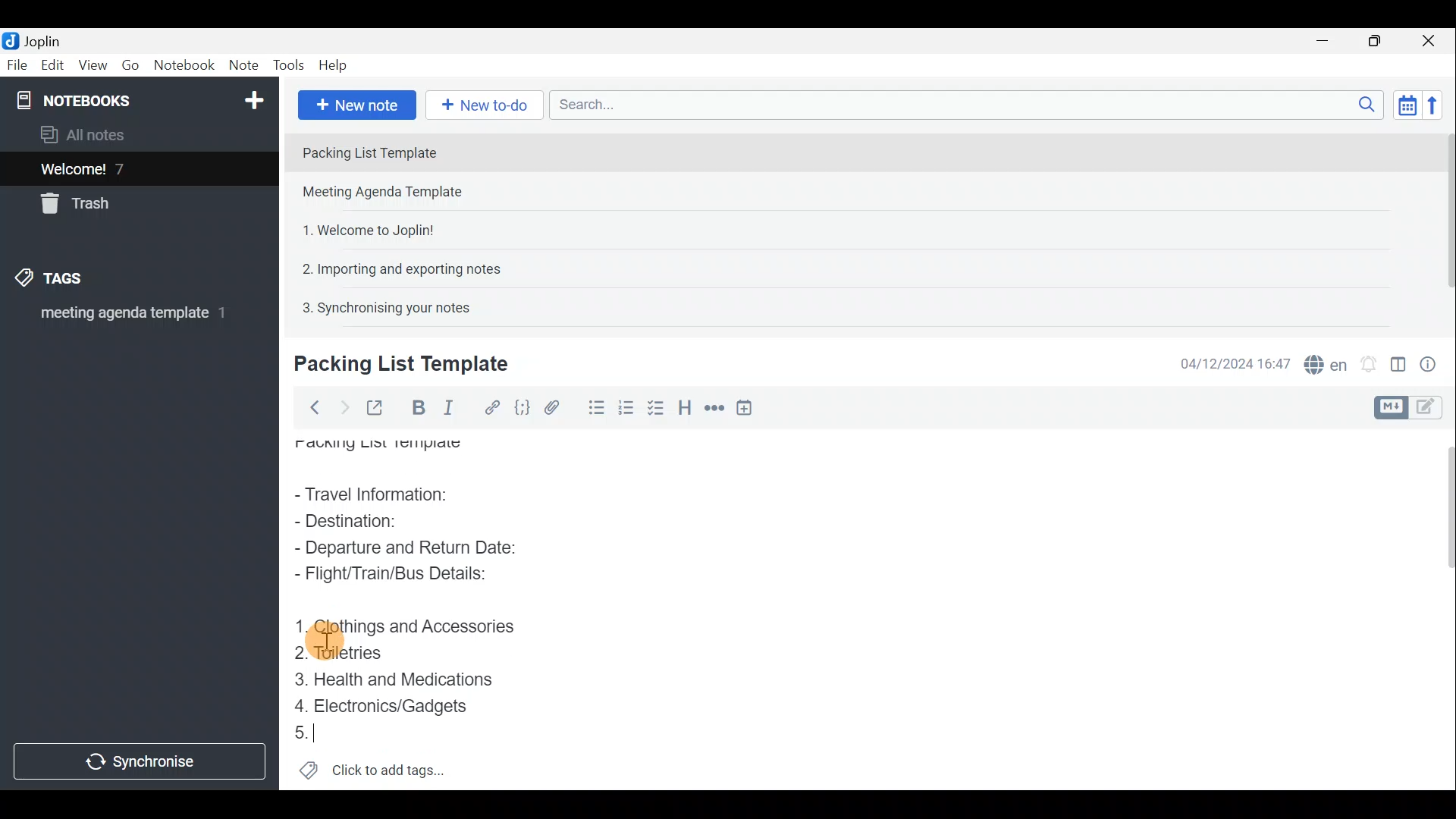  What do you see at coordinates (1393, 406) in the screenshot?
I see `Toggle editors` at bounding box center [1393, 406].